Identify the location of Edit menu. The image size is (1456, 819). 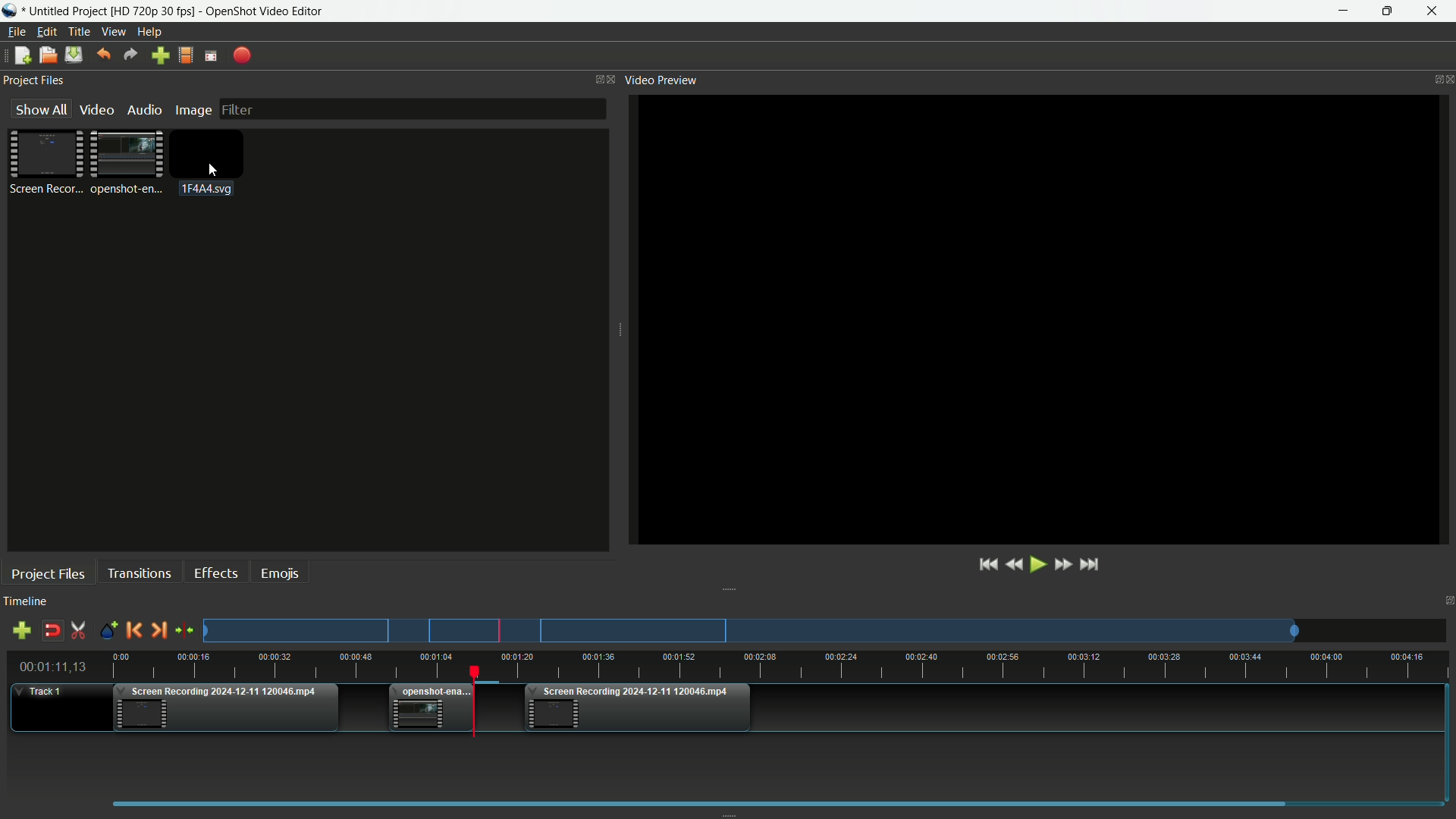
(44, 32).